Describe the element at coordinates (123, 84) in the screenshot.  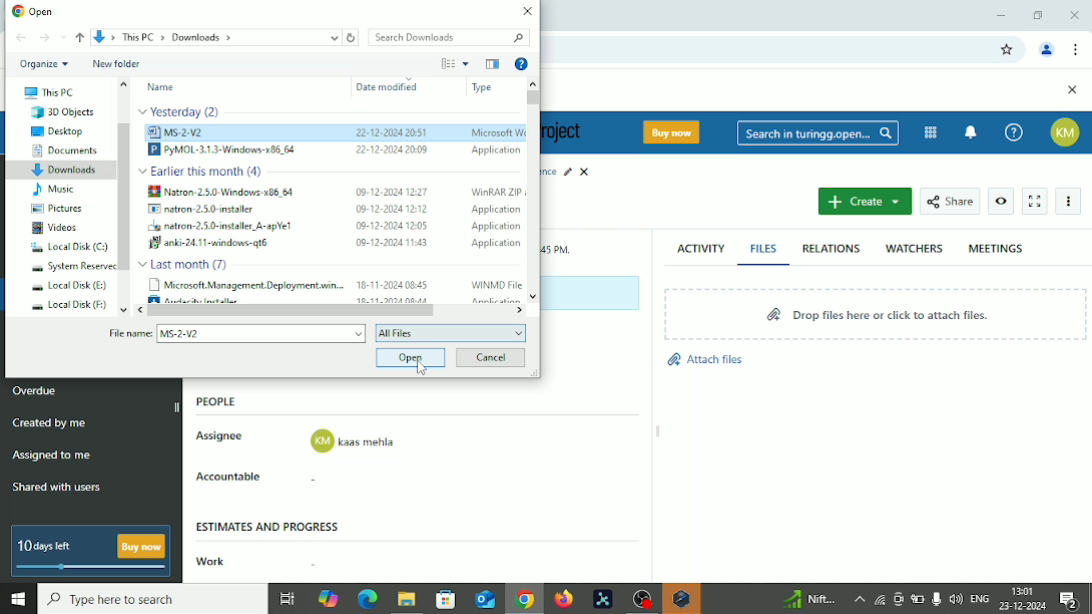
I see `move up` at that location.